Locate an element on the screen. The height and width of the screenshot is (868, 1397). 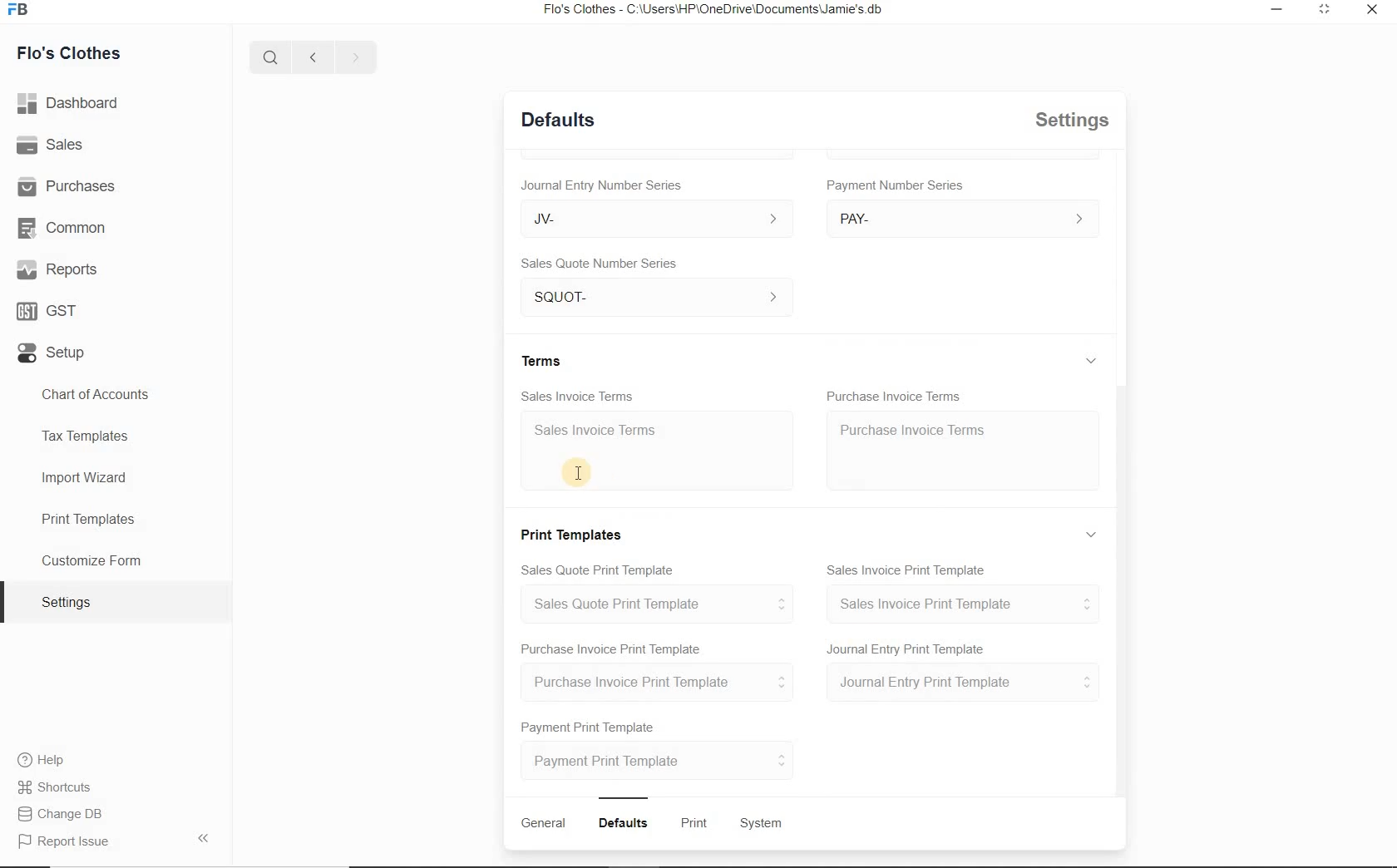
Defaults is located at coordinates (623, 823).